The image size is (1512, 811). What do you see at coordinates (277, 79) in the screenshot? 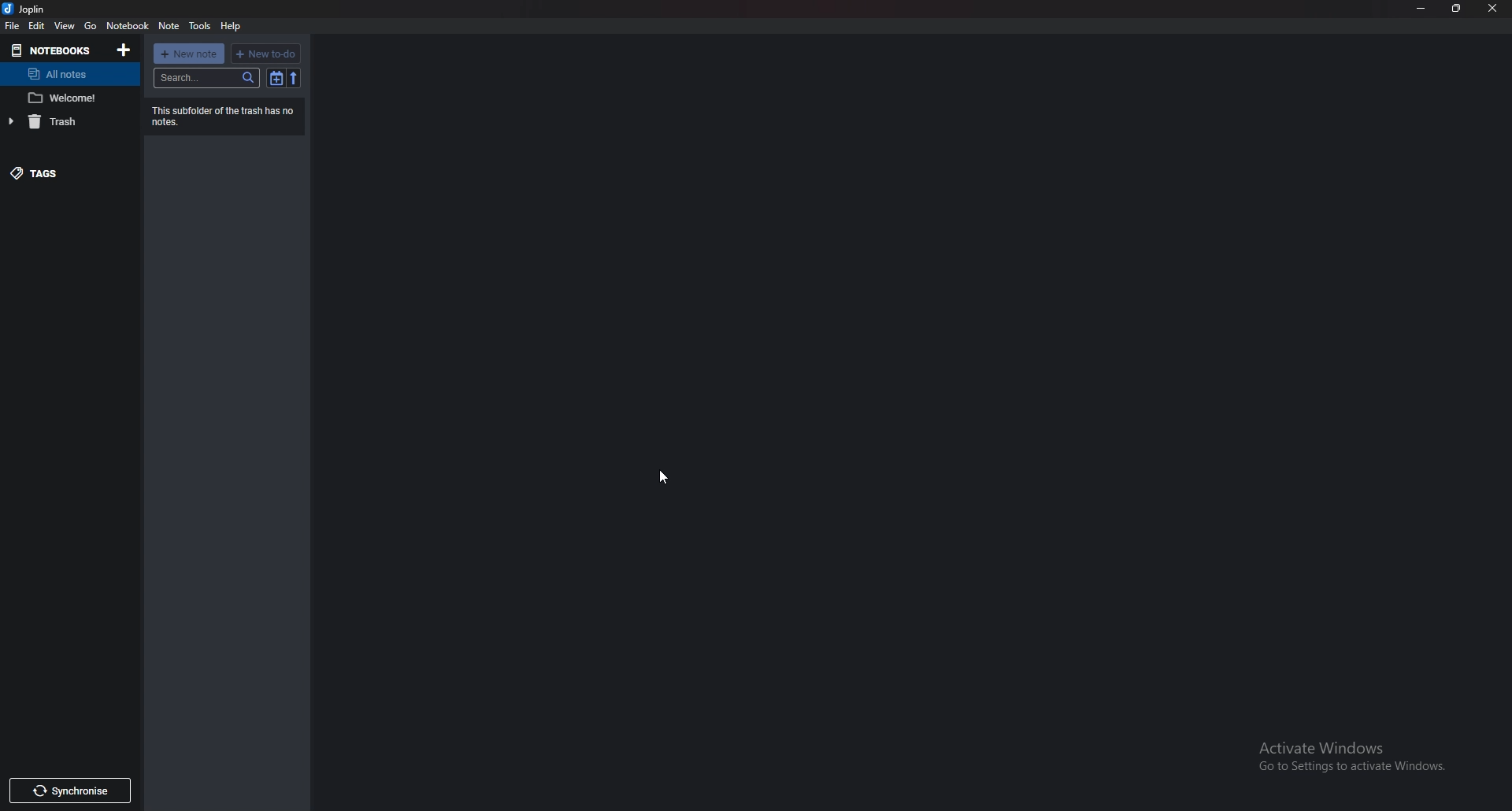
I see `Toggle sort` at bounding box center [277, 79].